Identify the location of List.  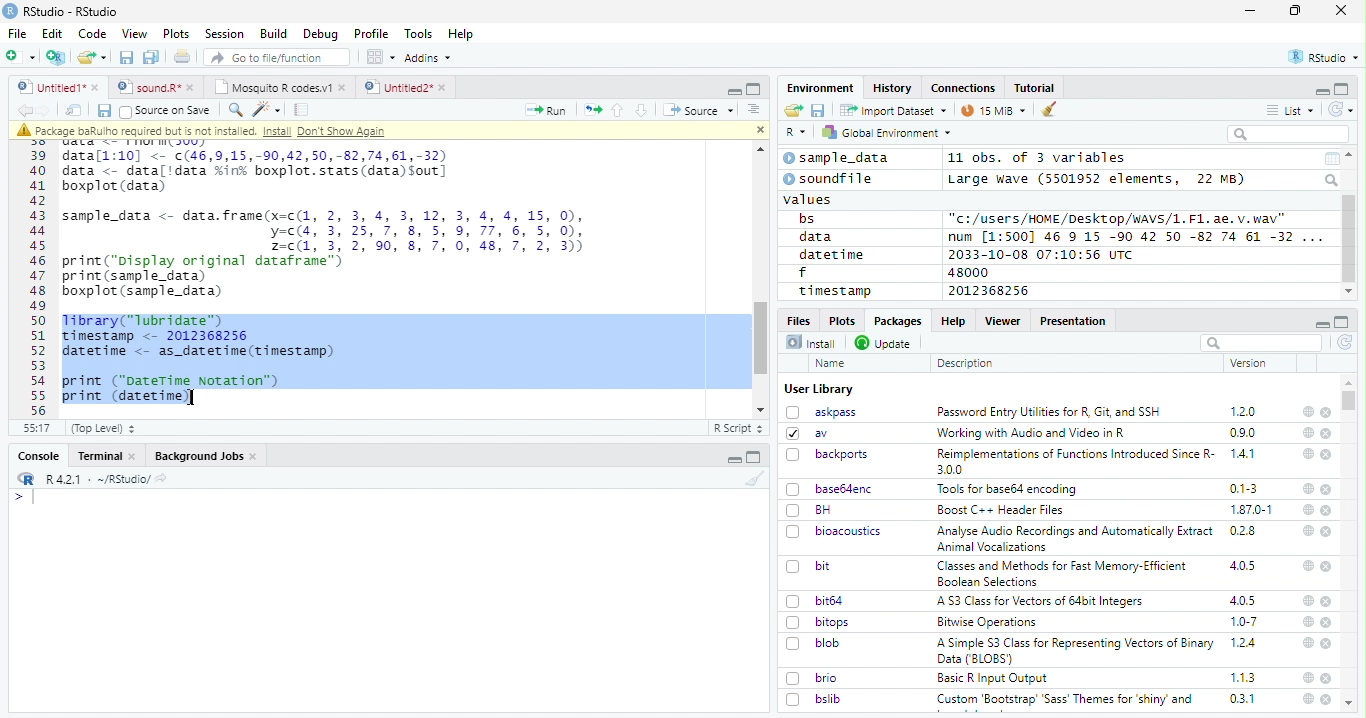
(1291, 111).